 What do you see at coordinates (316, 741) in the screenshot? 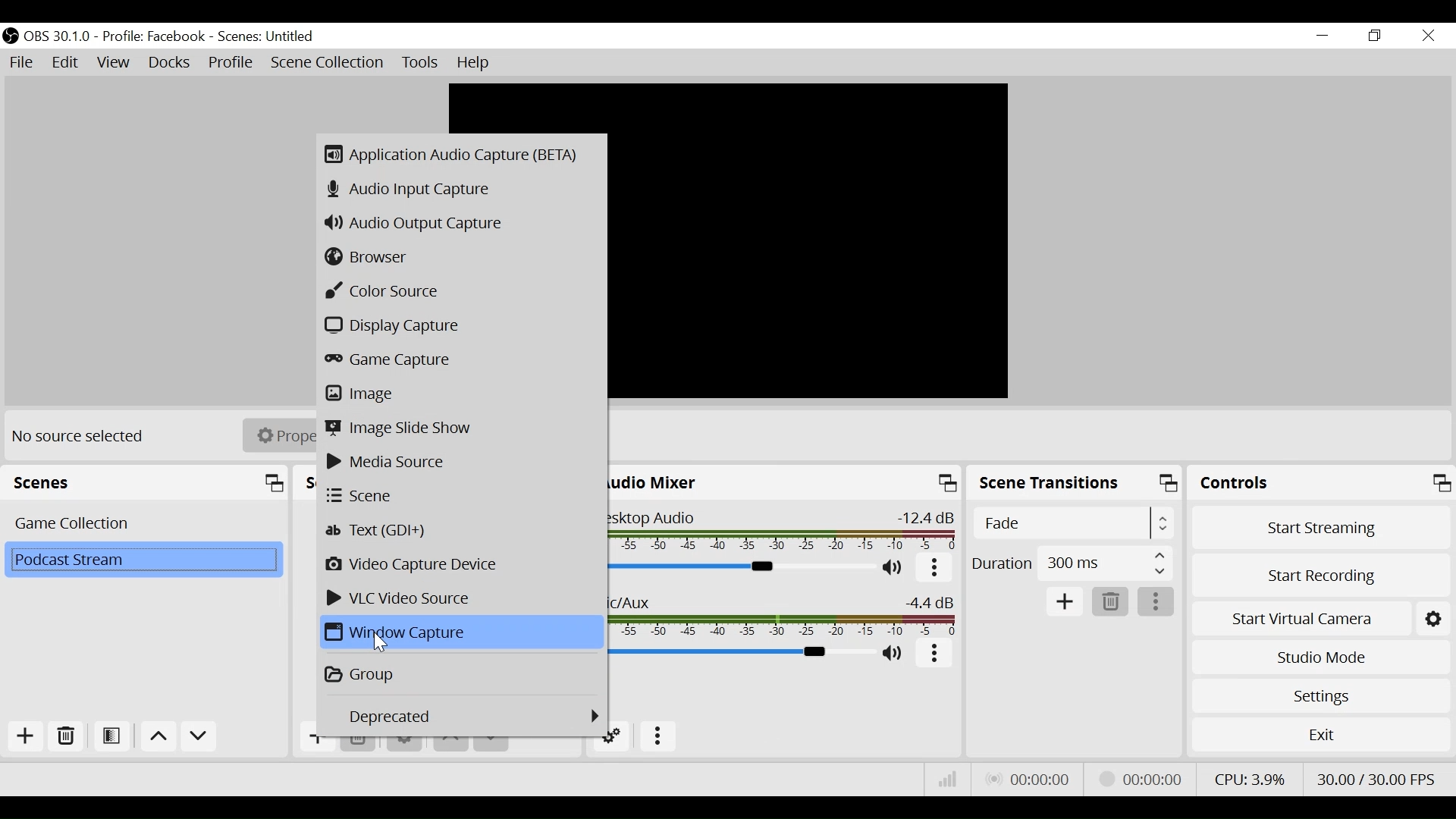
I see `Add` at bounding box center [316, 741].